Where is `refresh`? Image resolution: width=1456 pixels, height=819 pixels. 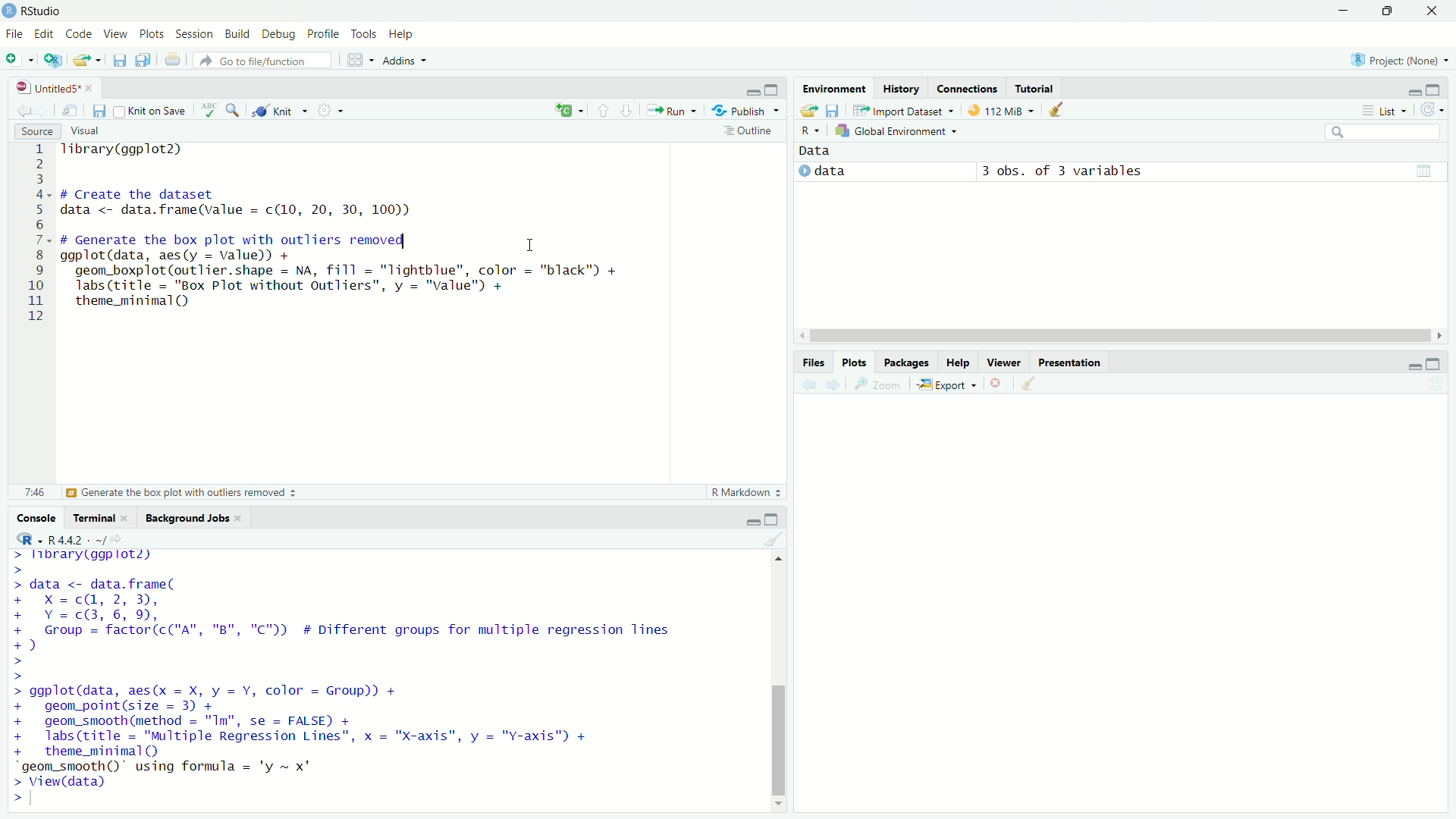
refresh is located at coordinates (1430, 108).